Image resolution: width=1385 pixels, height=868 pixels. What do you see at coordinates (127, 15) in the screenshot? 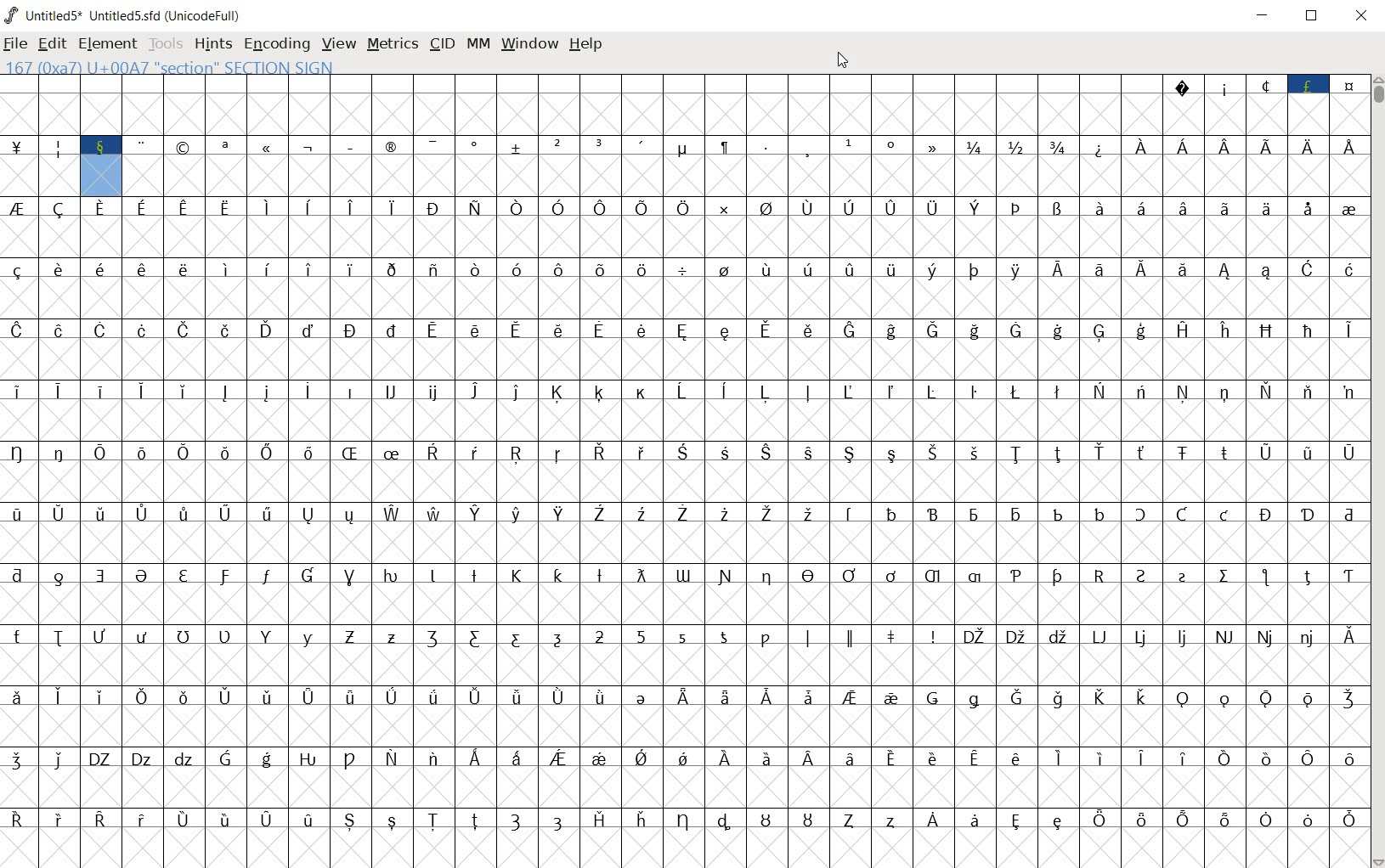
I see `Untitled1 Untitled1.sfd (UnicodeFull)` at bounding box center [127, 15].